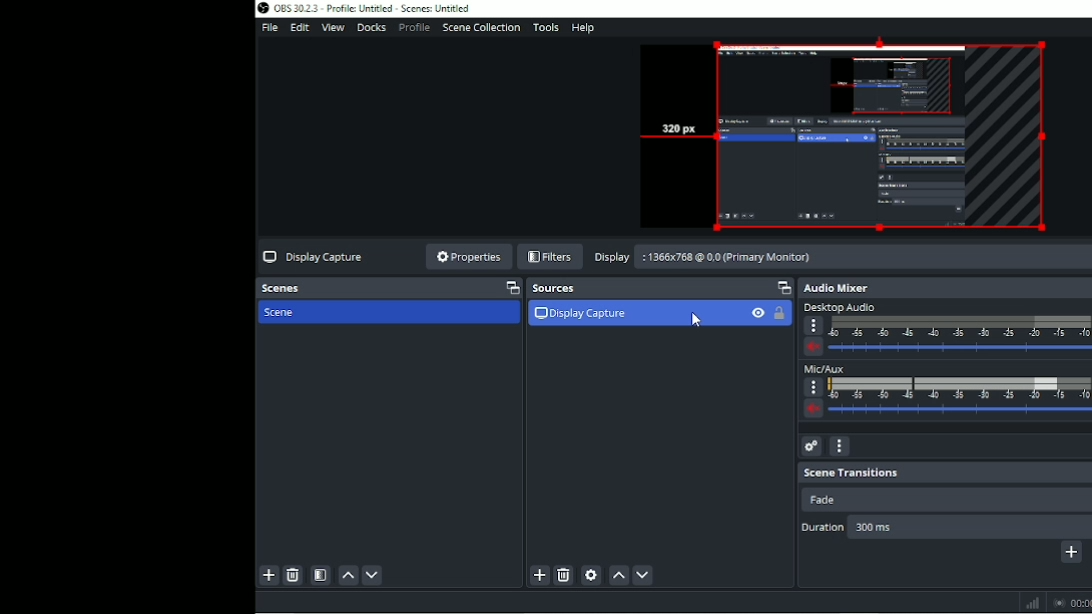  Describe the element at coordinates (585, 314) in the screenshot. I see `Display capture` at that location.